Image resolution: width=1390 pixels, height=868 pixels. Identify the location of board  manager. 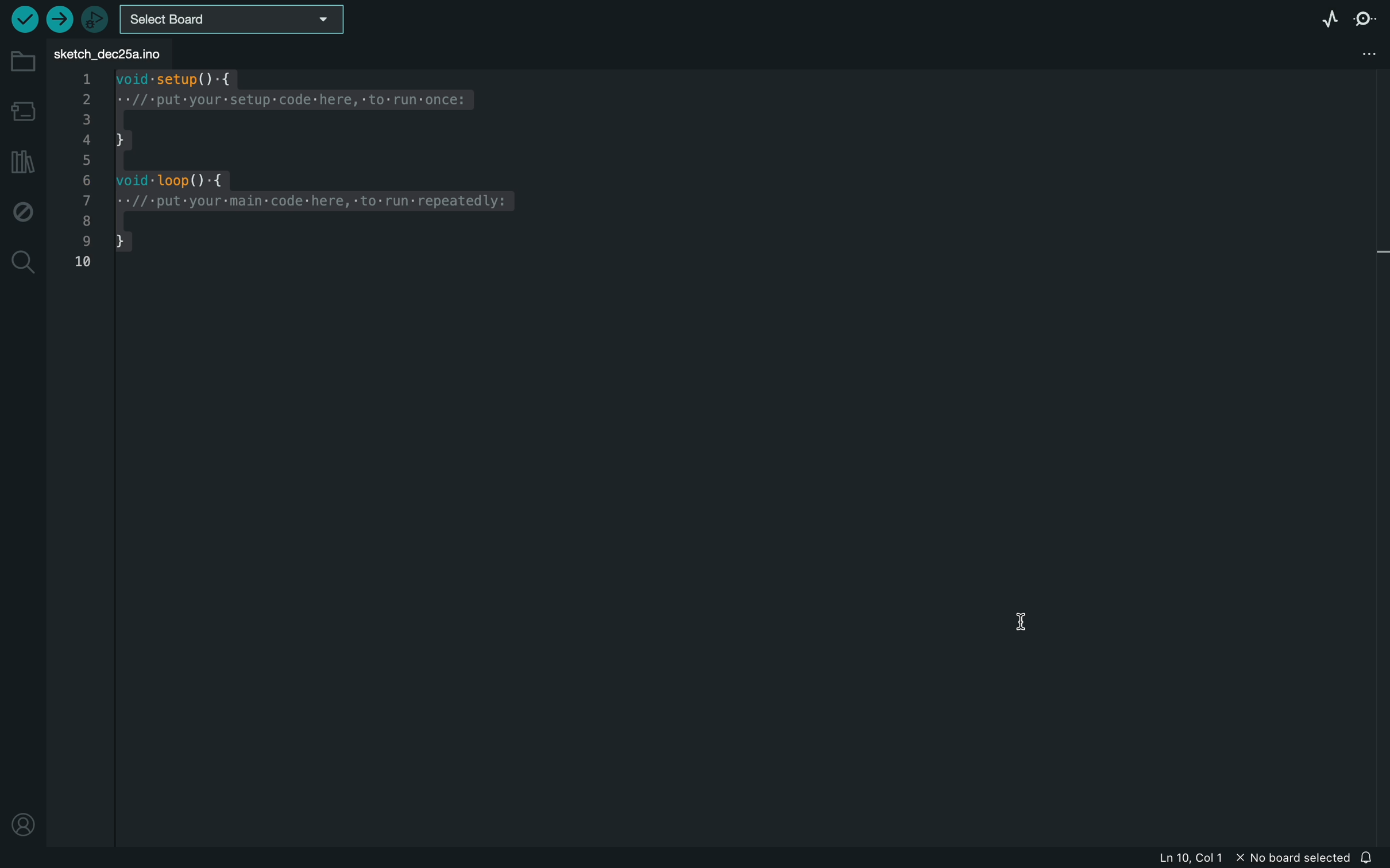
(25, 111).